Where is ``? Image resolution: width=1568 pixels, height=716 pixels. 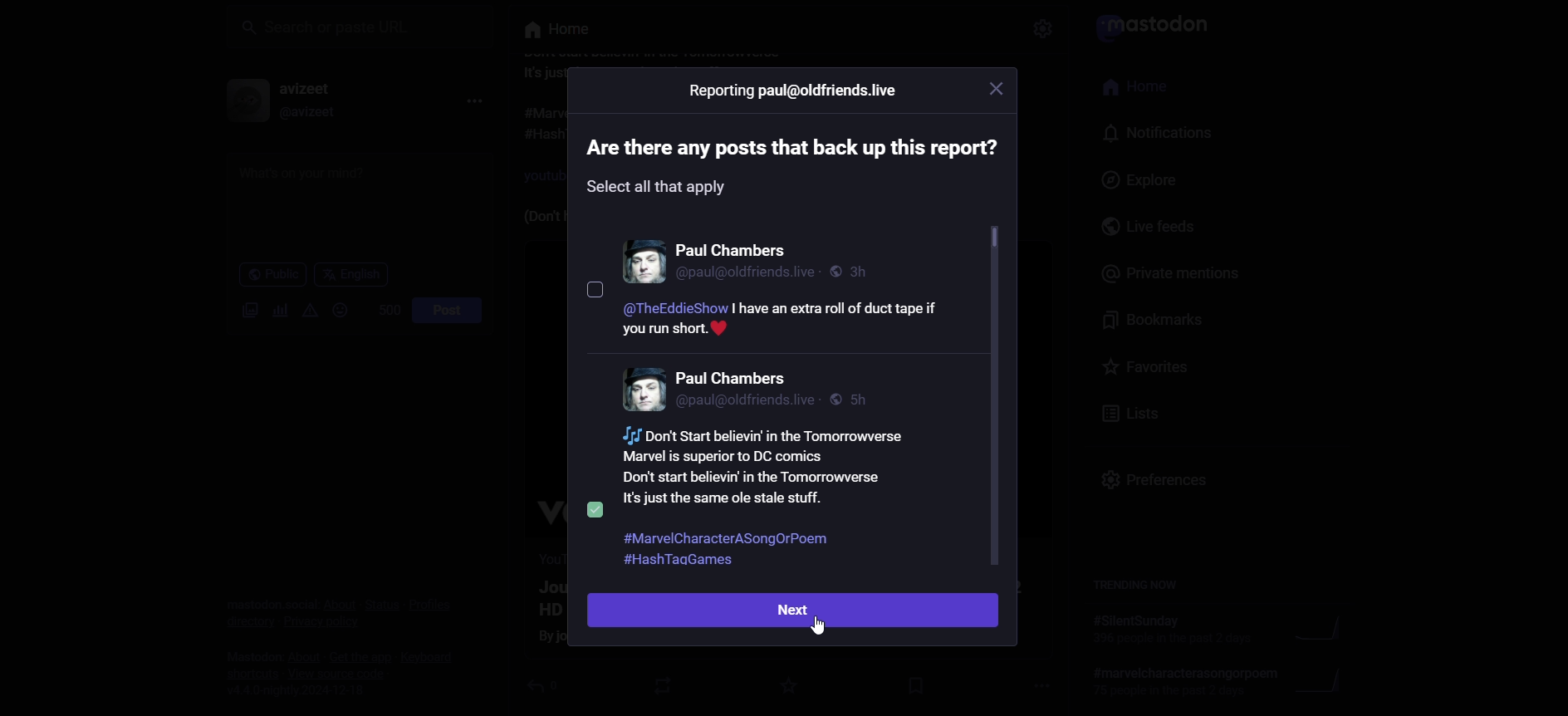  is located at coordinates (728, 538).